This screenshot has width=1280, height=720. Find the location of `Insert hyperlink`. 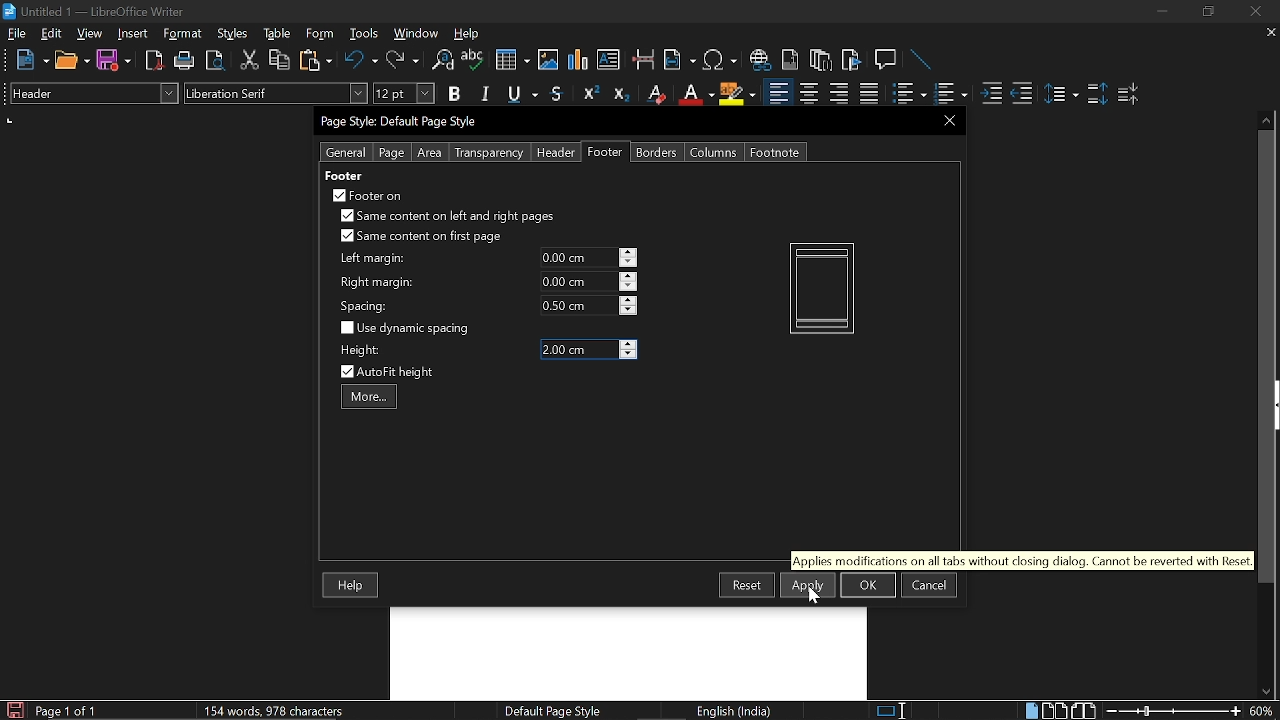

Insert hyperlink is located at coordinates (761, 60).